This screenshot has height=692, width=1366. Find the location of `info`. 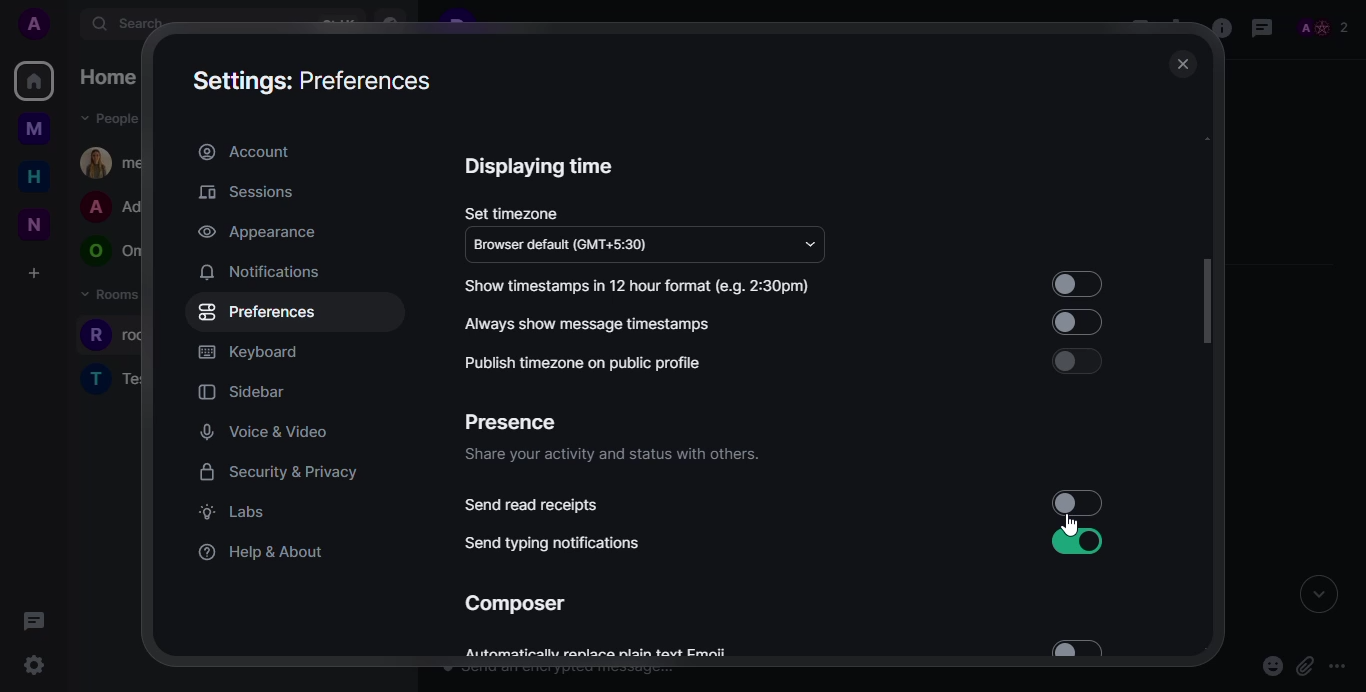

info is located at coordinates (1218, 29).